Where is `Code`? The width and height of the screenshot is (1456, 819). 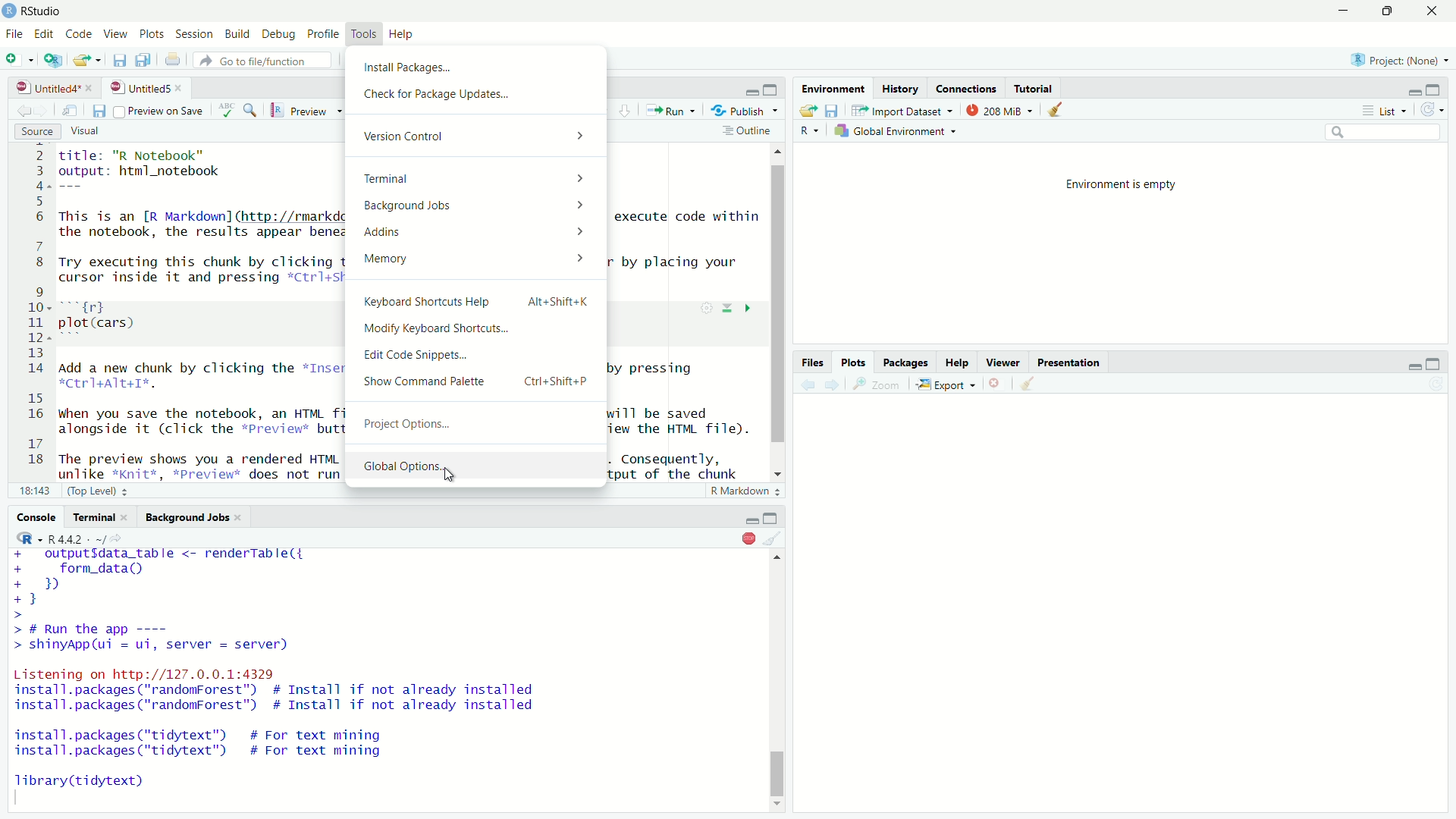 Code is located at coordinates (77, 35).